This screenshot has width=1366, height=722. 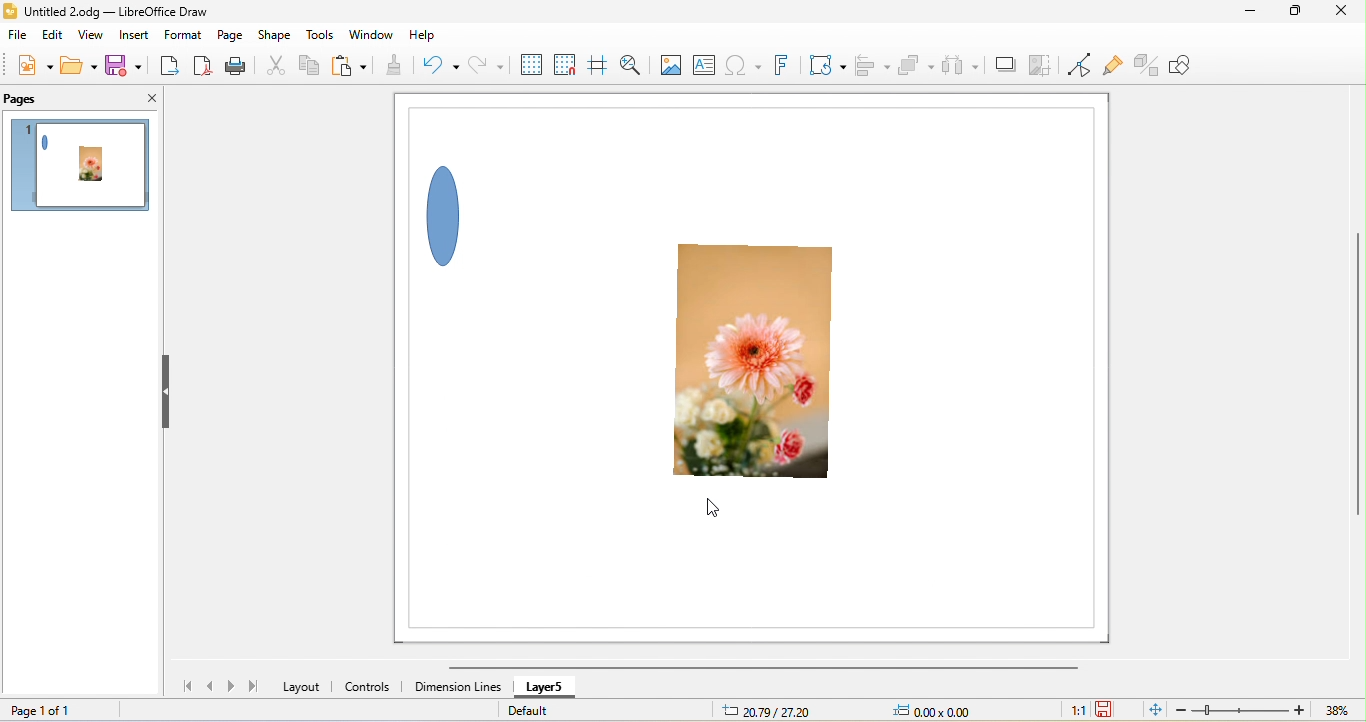 What do you see at coordinates (321, 36) in the screenshot?
I see `tools` at bounding box center [321, 36].